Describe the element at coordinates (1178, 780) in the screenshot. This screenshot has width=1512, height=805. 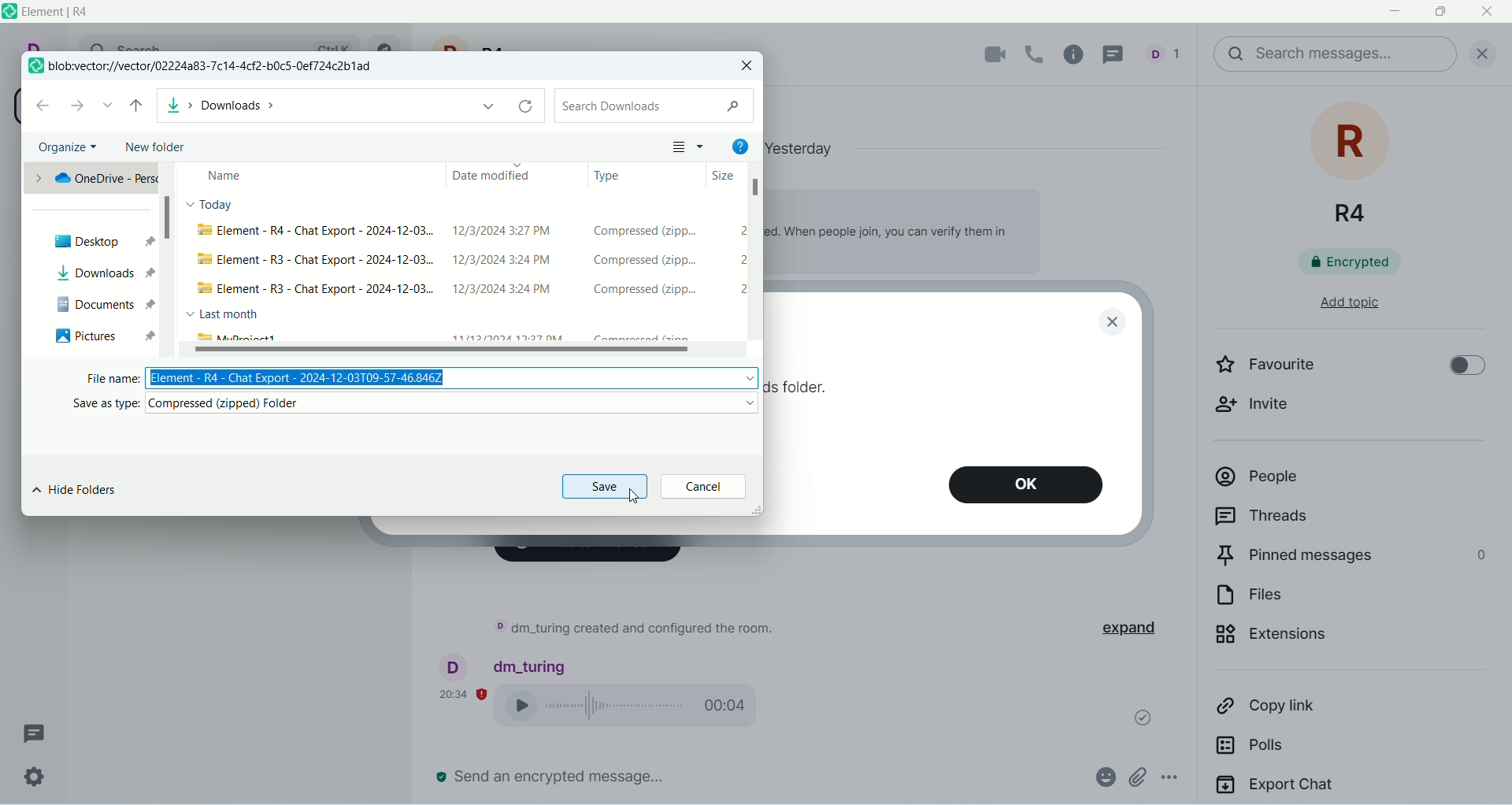
I see `options` at that location.